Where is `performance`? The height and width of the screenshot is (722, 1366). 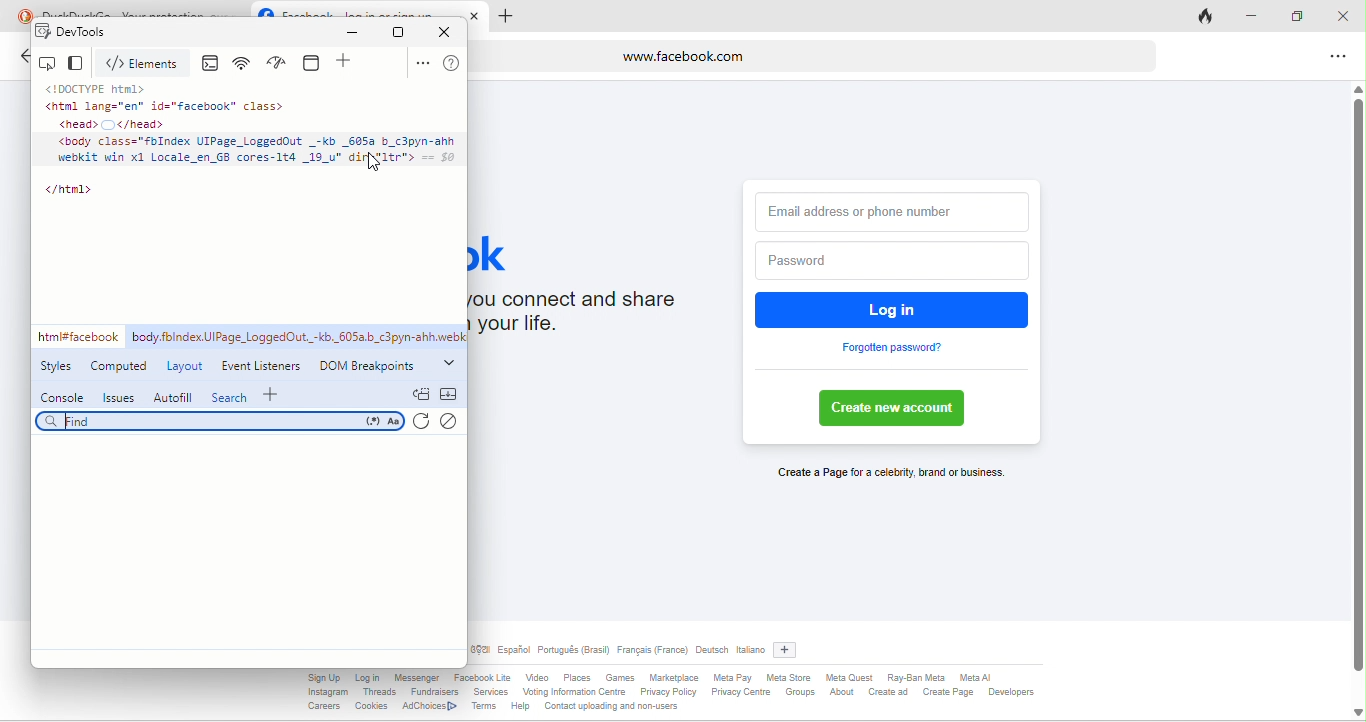 performance is located at coordinates (281, 63).